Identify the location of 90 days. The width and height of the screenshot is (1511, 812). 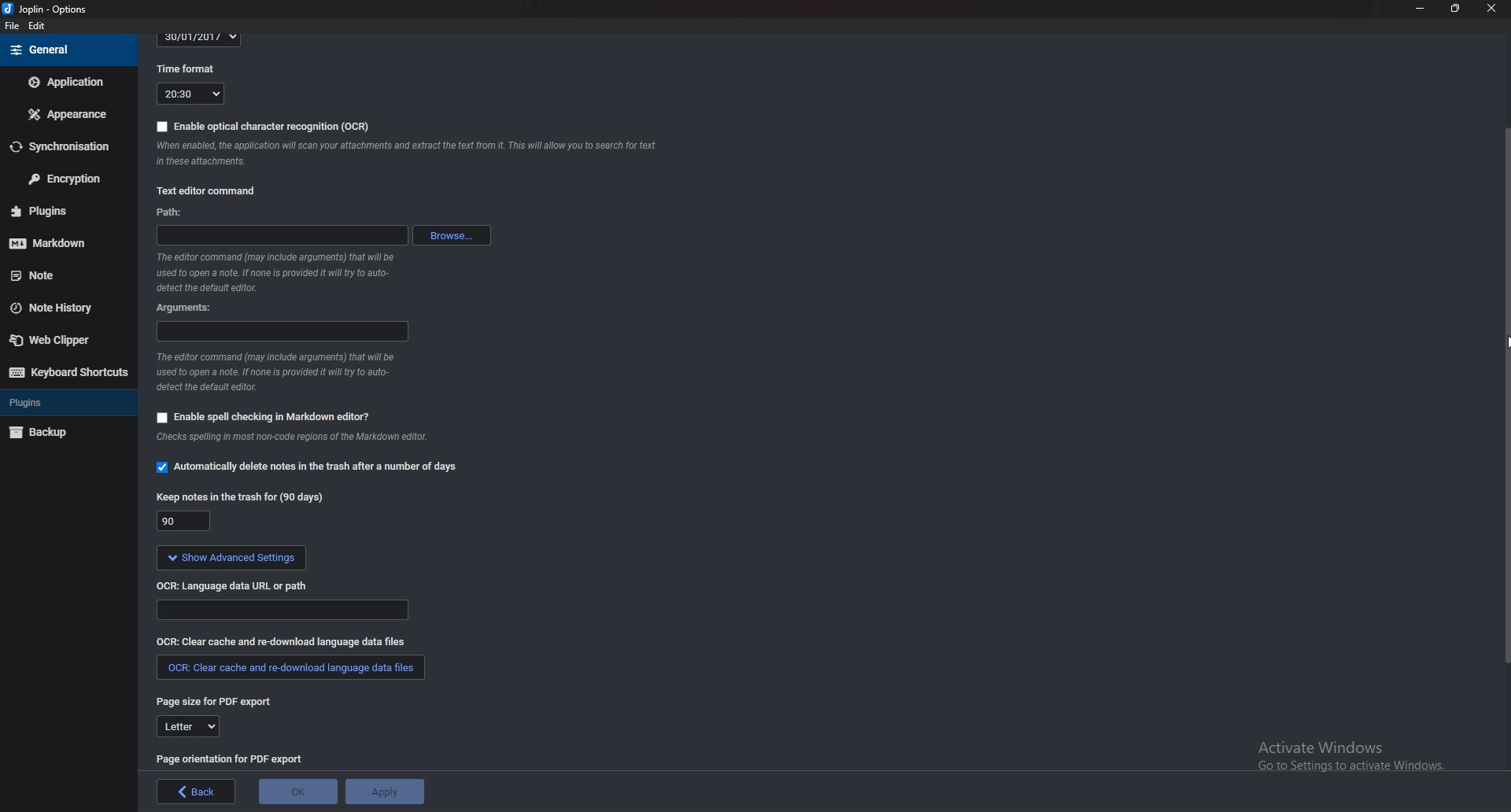
(185, 522).